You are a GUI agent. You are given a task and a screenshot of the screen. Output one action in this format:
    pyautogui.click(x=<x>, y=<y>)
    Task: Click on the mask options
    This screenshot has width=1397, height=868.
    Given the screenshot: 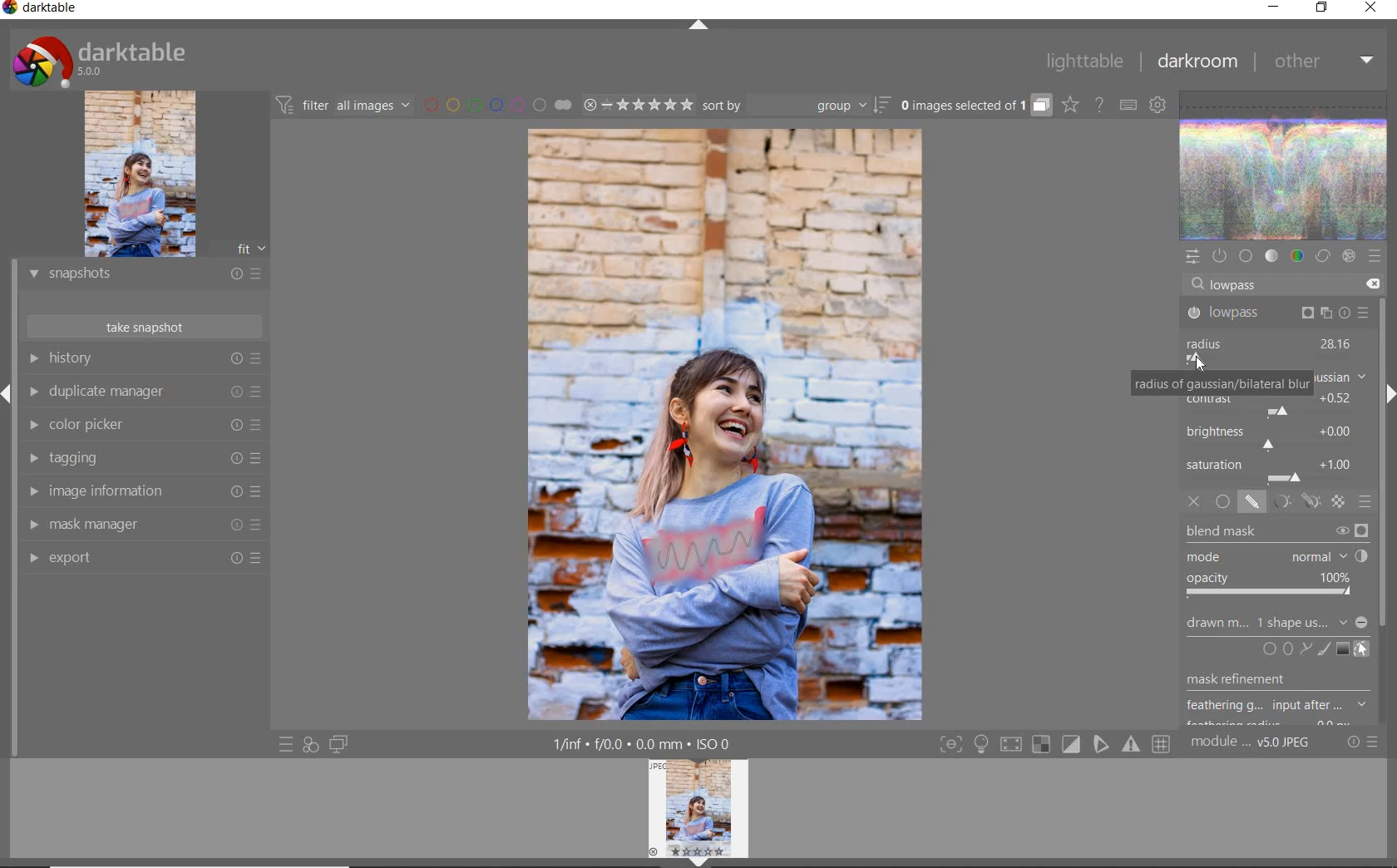 What is the action you would take?
    pyautogui.click(x=1293, y=502)
    